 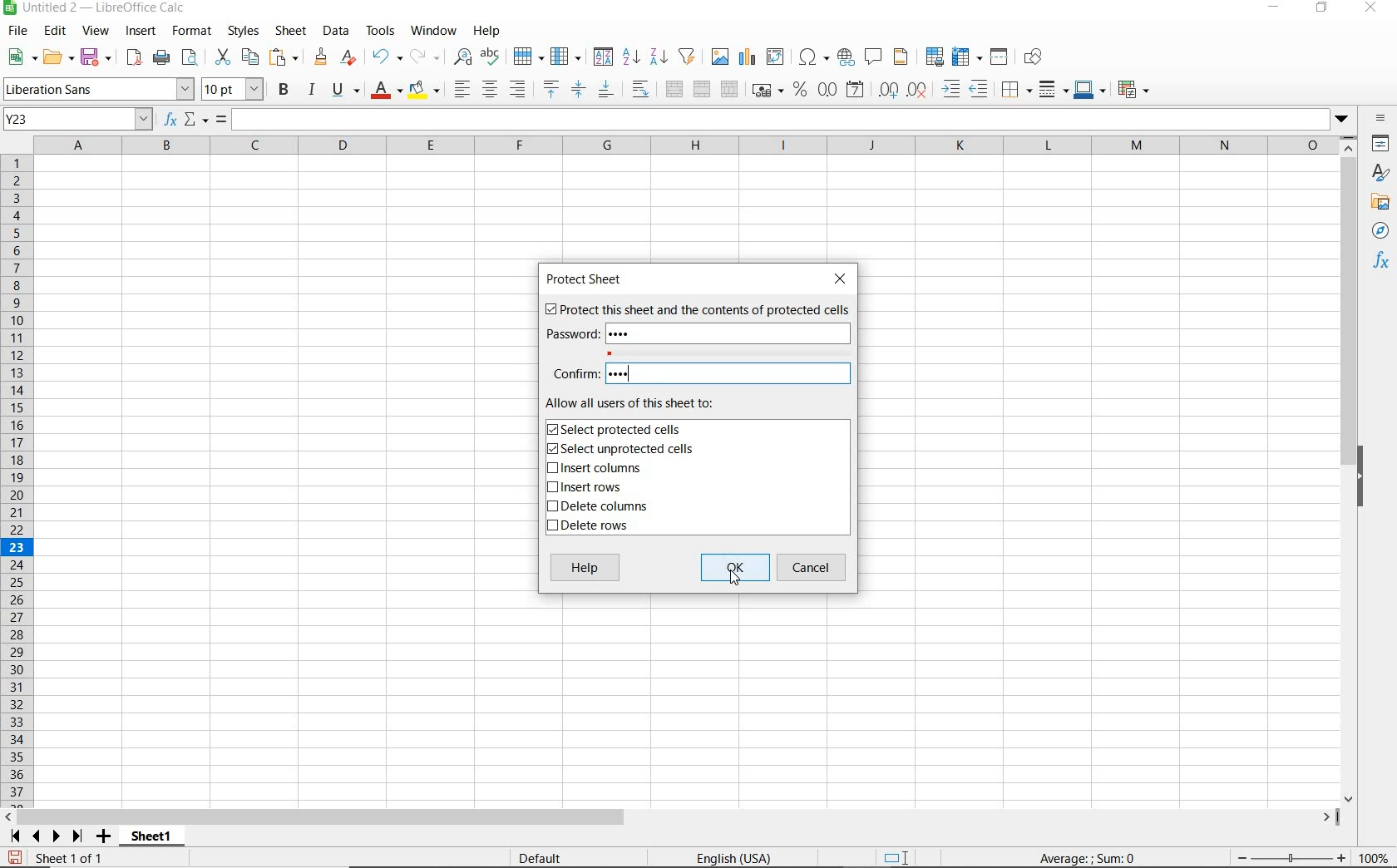 What do you see at coordinates (776, 57) in the screenshot?
I see `INSERT OR EDIT PIVOT TABLE` at bounding box center [776, 57].